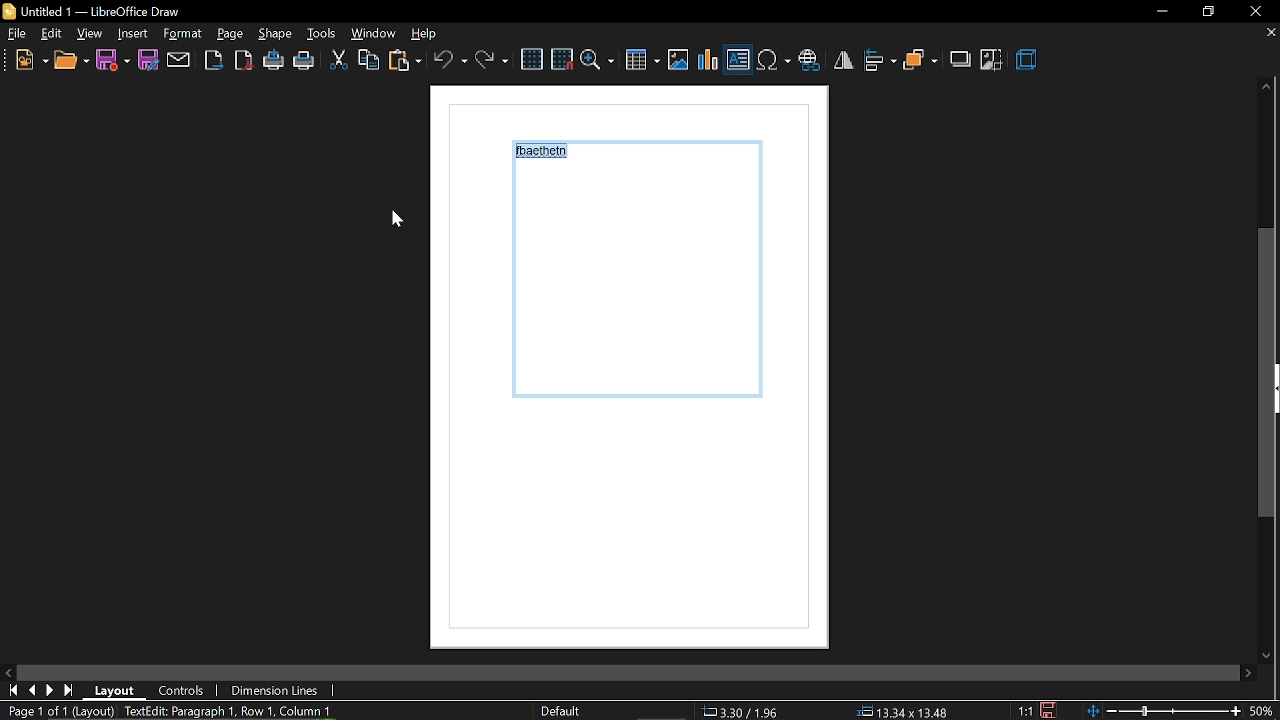  Describe the element at coordinates (8, 671) in the screenshot. I see `MOve left` at that location.